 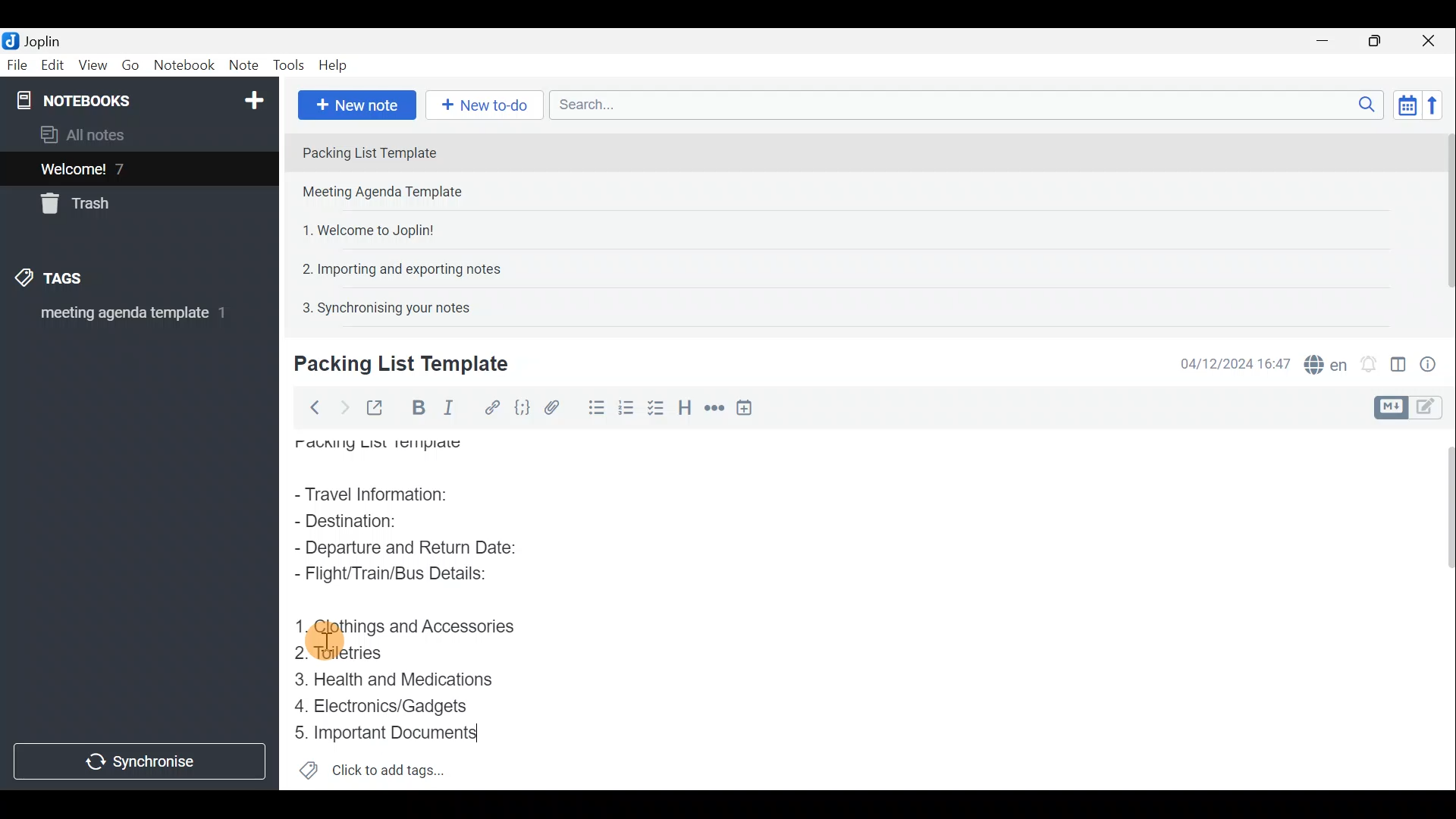 What do you see at coordinates (1438, 104) in the screenshot?
I see `Reverse sort order` at bounding box center [1438, 104].